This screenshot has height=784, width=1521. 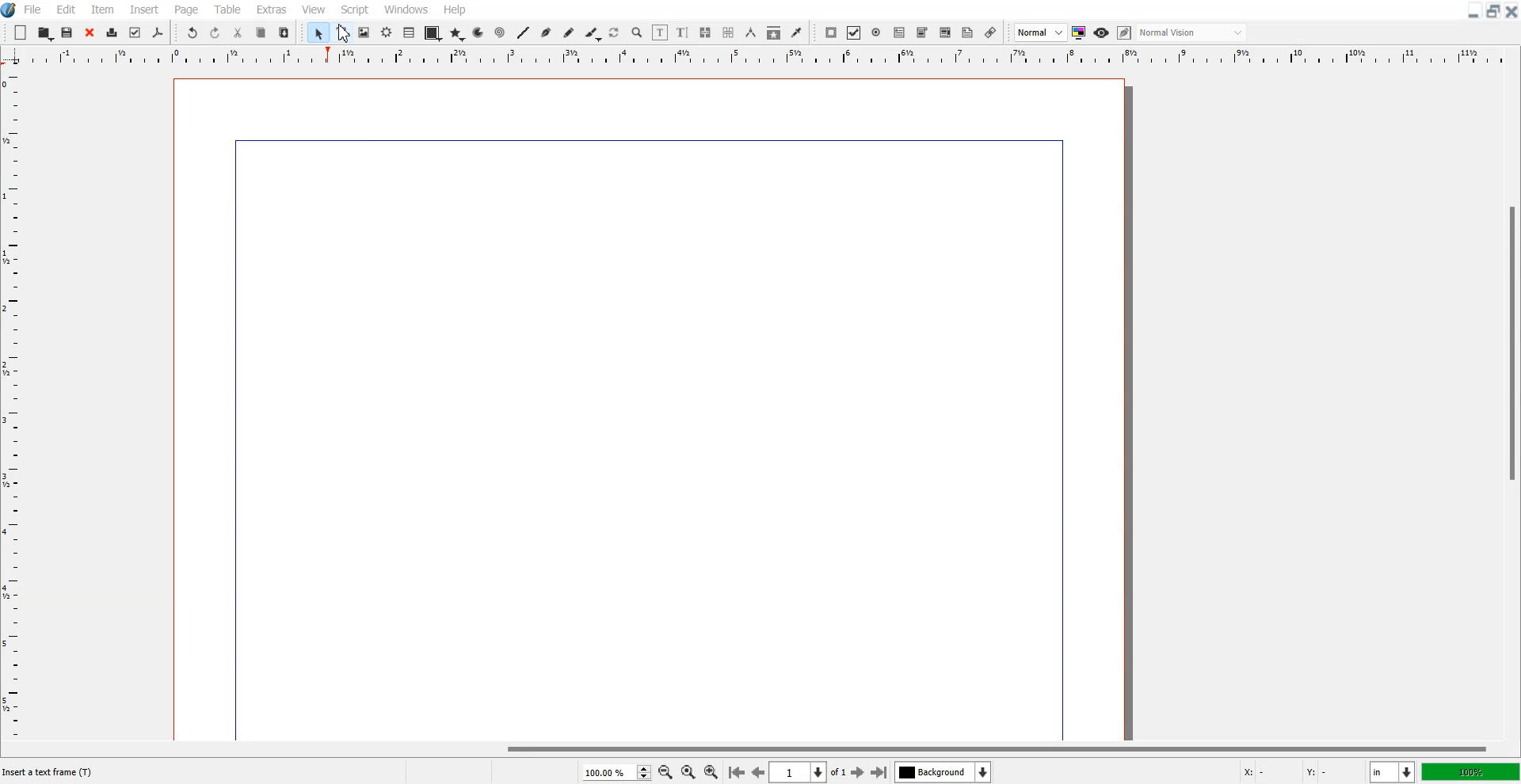 What do you see at coordinates (457, 33) in the screenshot?
I see `Polygon` at bounding box center [457, 33].